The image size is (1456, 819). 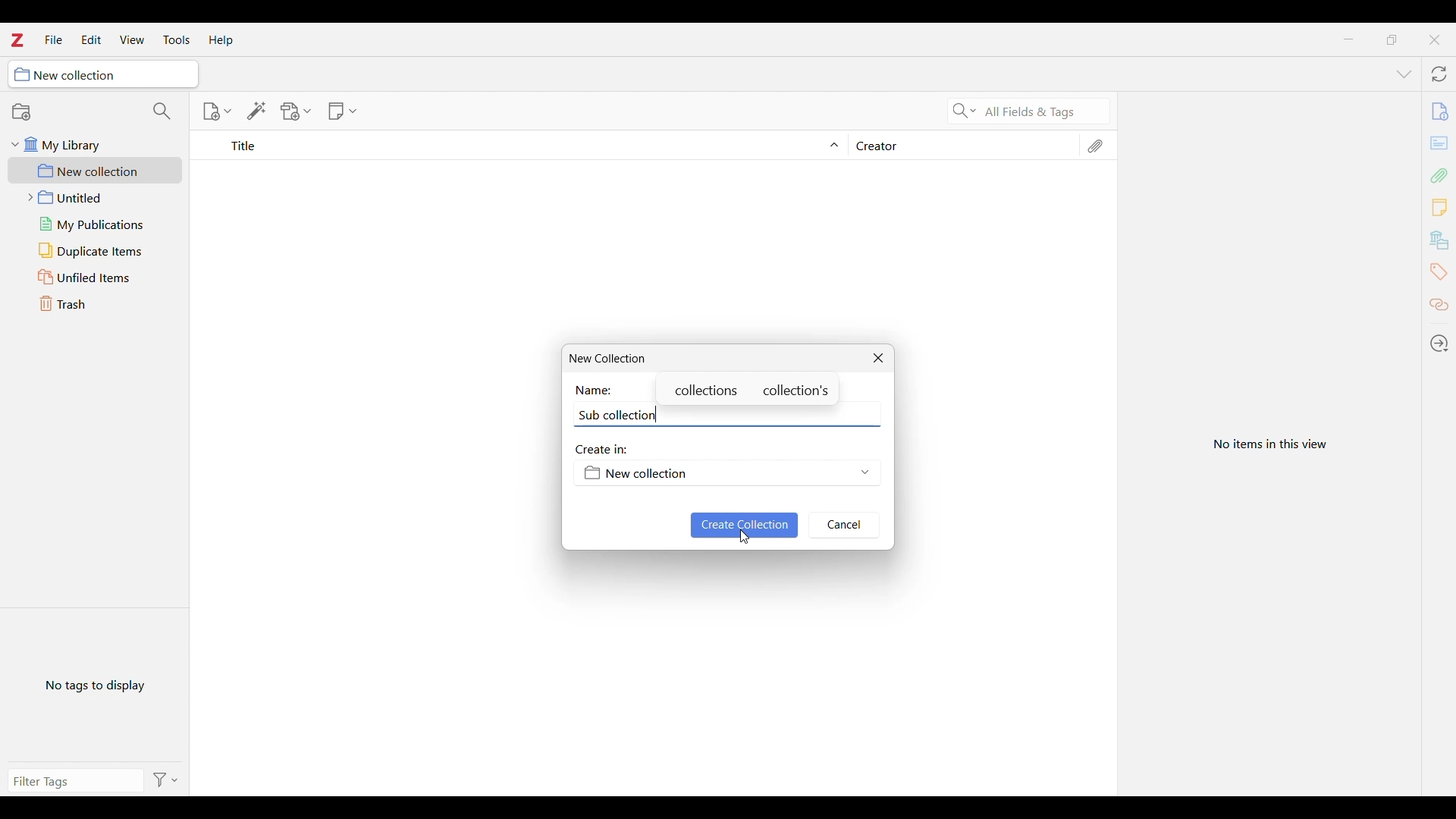 What do you see at coordinates (1269, 445) in the screenshot?
I see `View selected item in current folder` at bounding box center [1269, 445].